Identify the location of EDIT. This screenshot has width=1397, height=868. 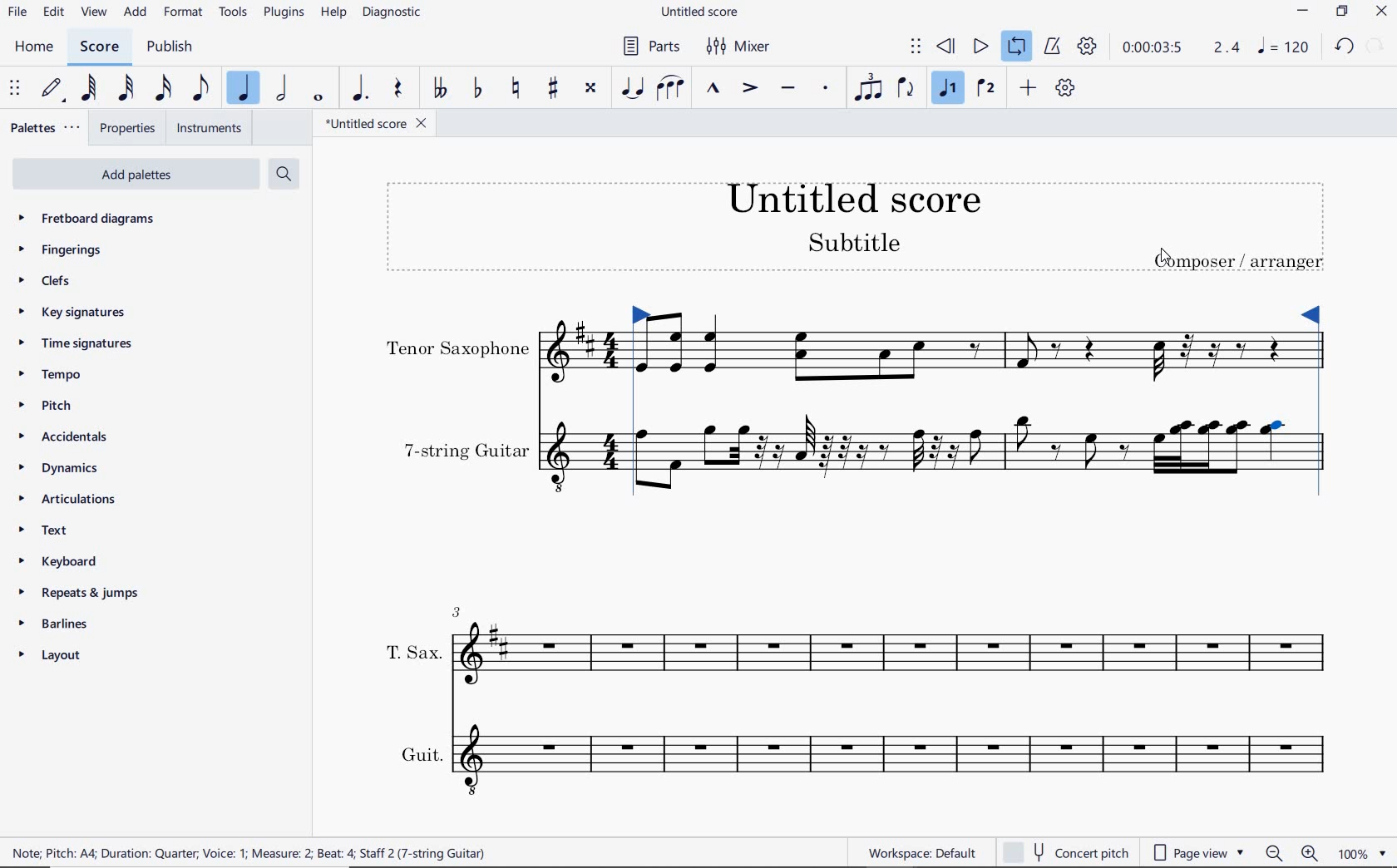
(53, 13).